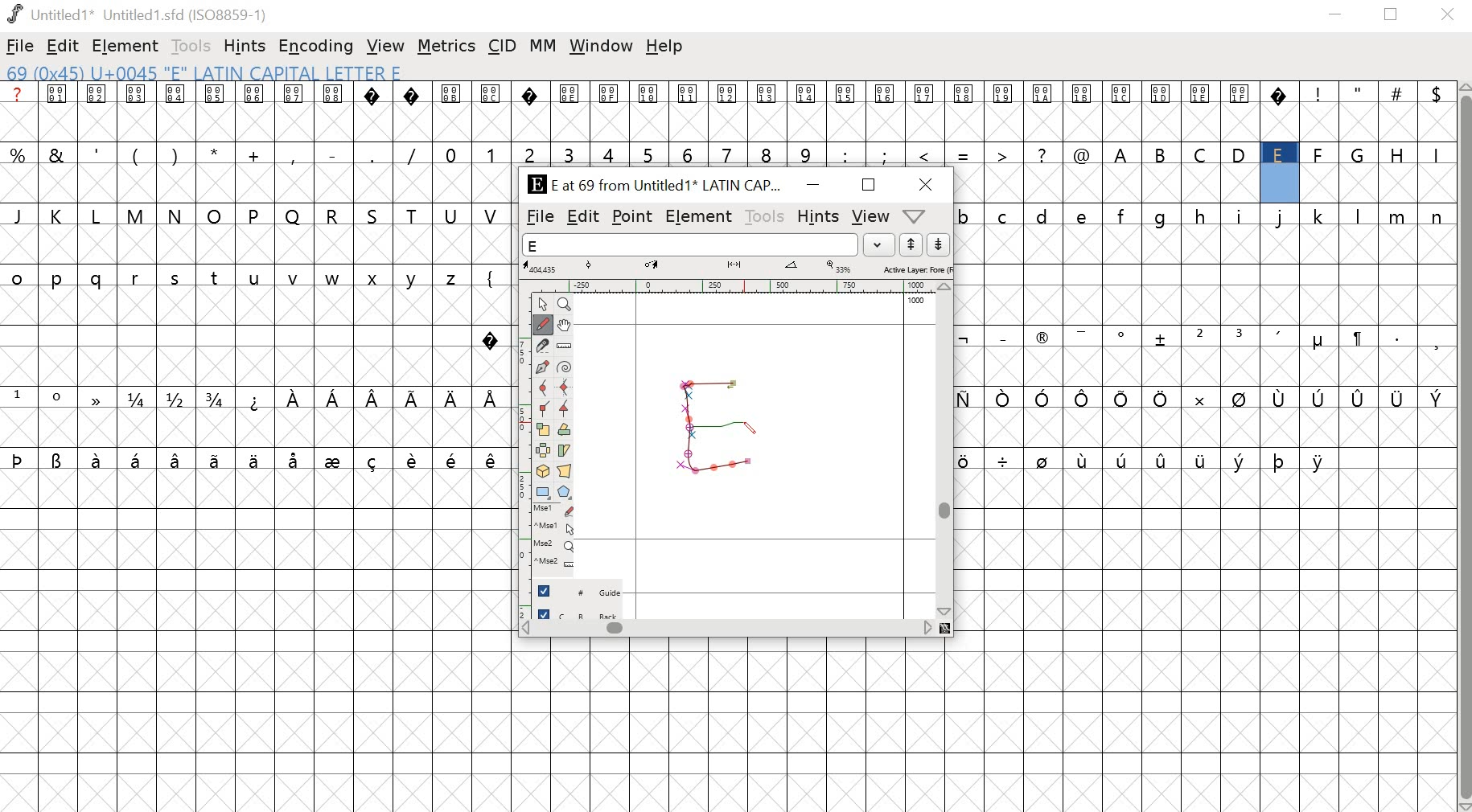 This screenshot has height=812, width=1472. What do you see at coordinates (880, 244) in the screenshot?
I see `dropdown` at bounding box center [880, 244].